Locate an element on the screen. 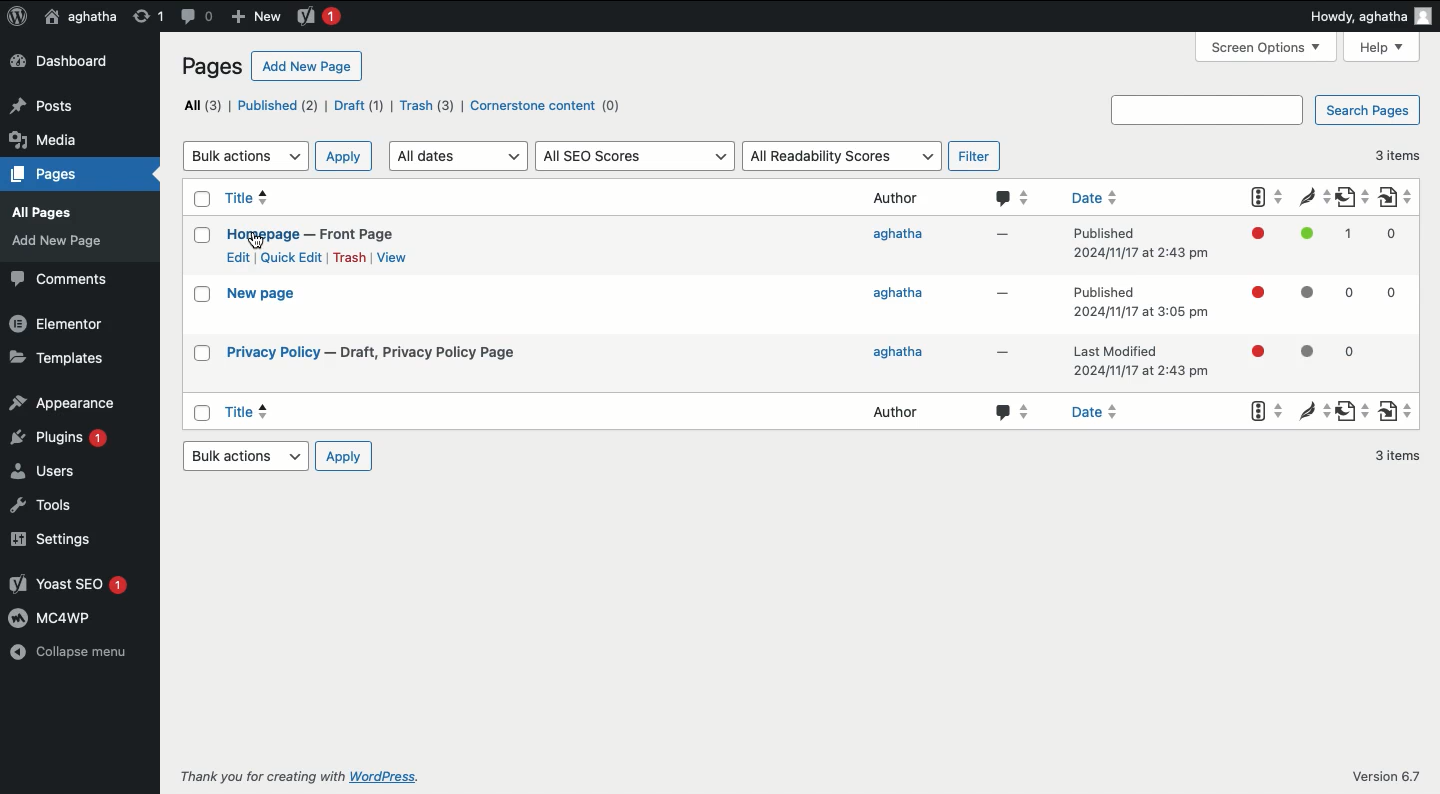 This screenshot has height=794, width=1440. Appearance is located at coordinates (64, 402).